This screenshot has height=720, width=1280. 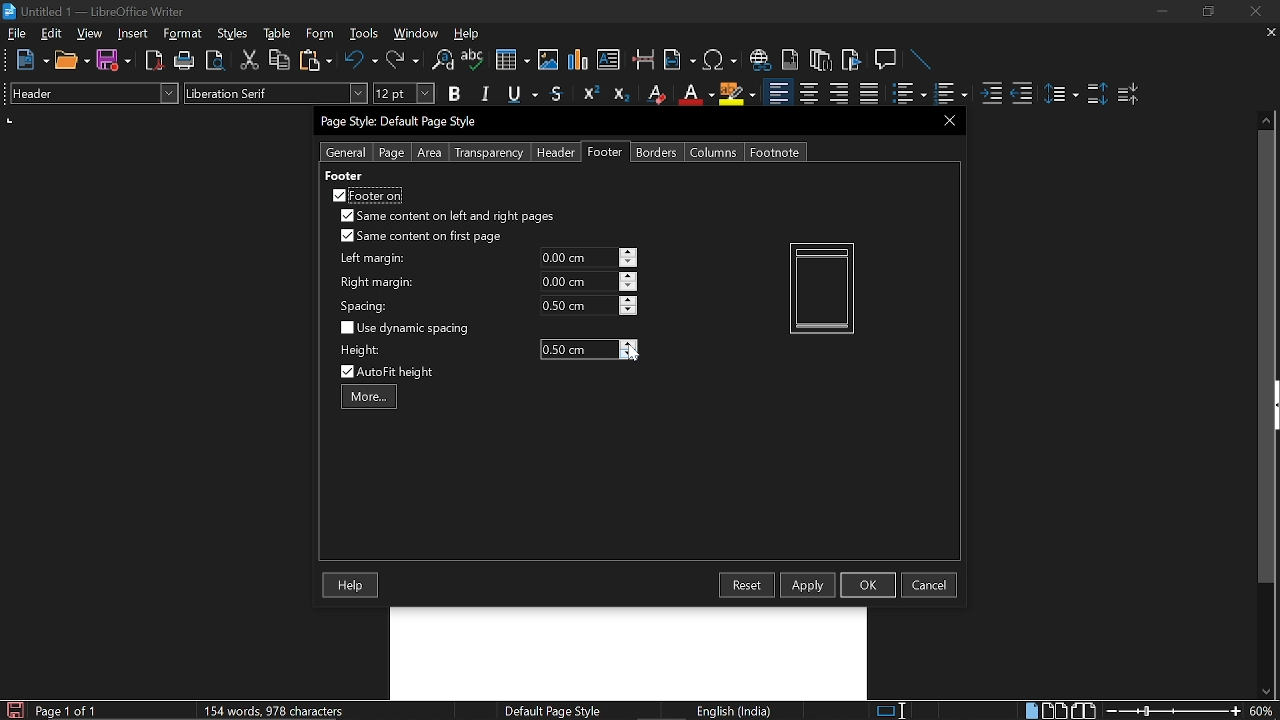 I want to click on increase left margin, so click(x=629, y=252).